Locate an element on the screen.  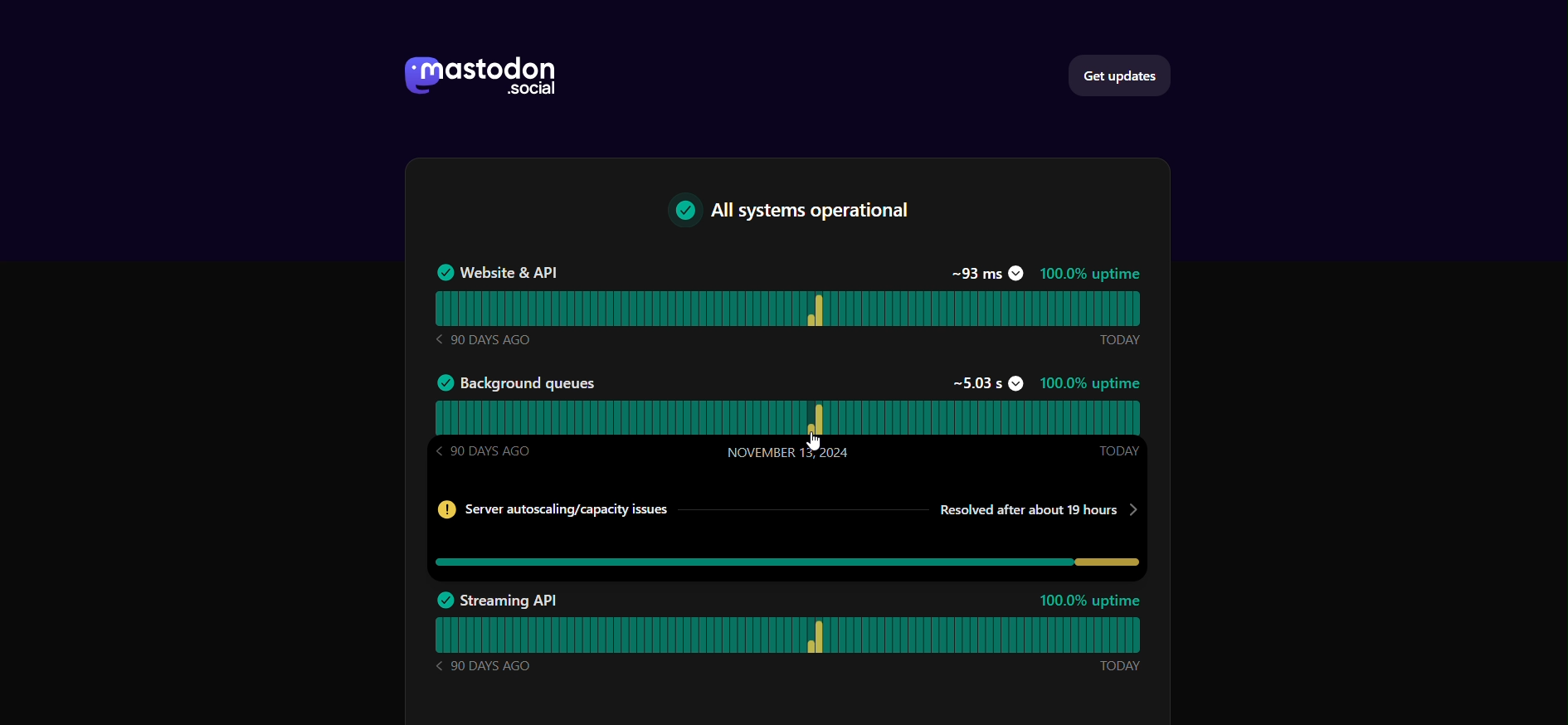
~93 ms is located at coordinates (985, 272).